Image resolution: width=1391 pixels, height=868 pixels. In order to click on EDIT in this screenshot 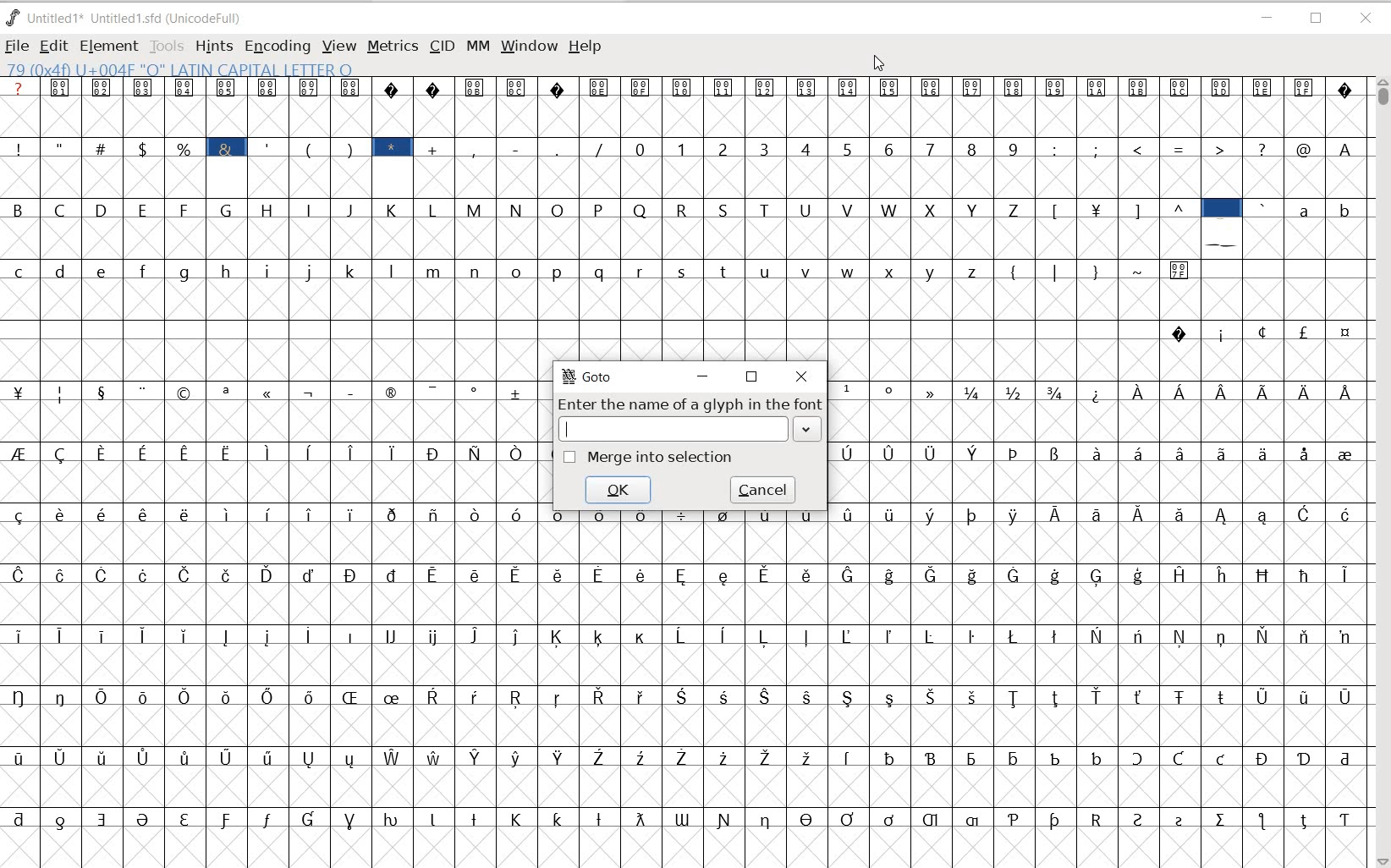, I will do `click(52, 47)`.